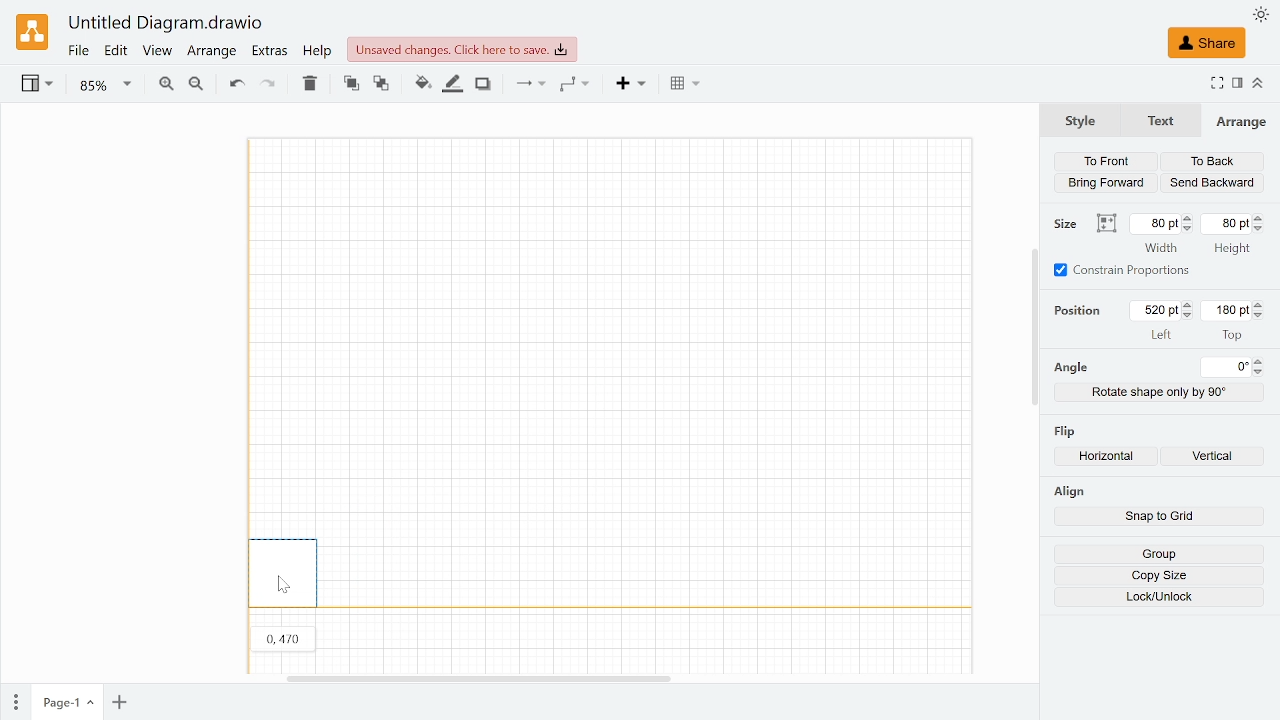  What do you see at coordinates (1070, 368) in the screenshot?
I see `angel` at bounding box center [1070, 368].